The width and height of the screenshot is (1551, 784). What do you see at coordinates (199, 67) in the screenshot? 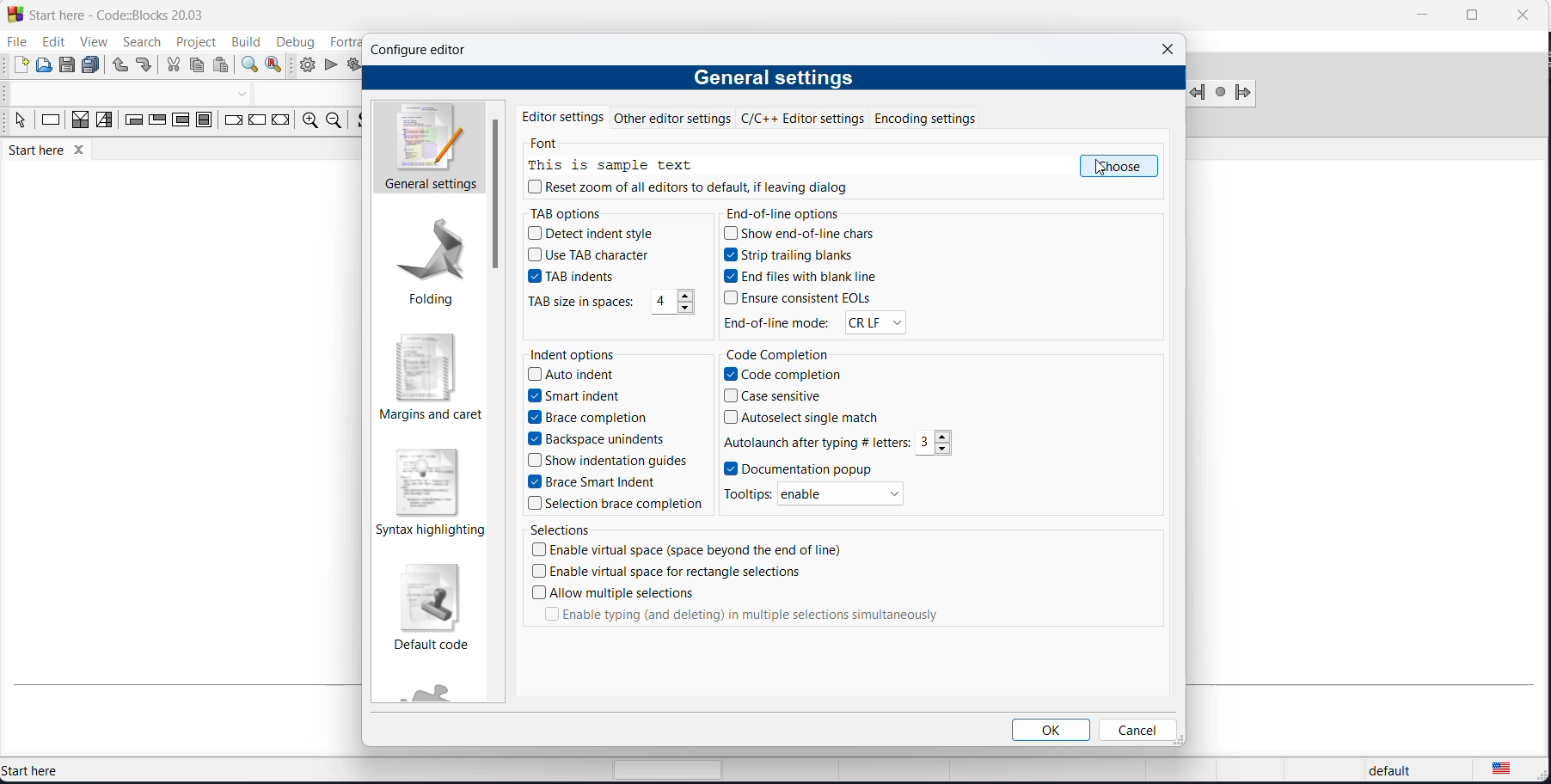
I see `copy` at bounding box center [199, 67].